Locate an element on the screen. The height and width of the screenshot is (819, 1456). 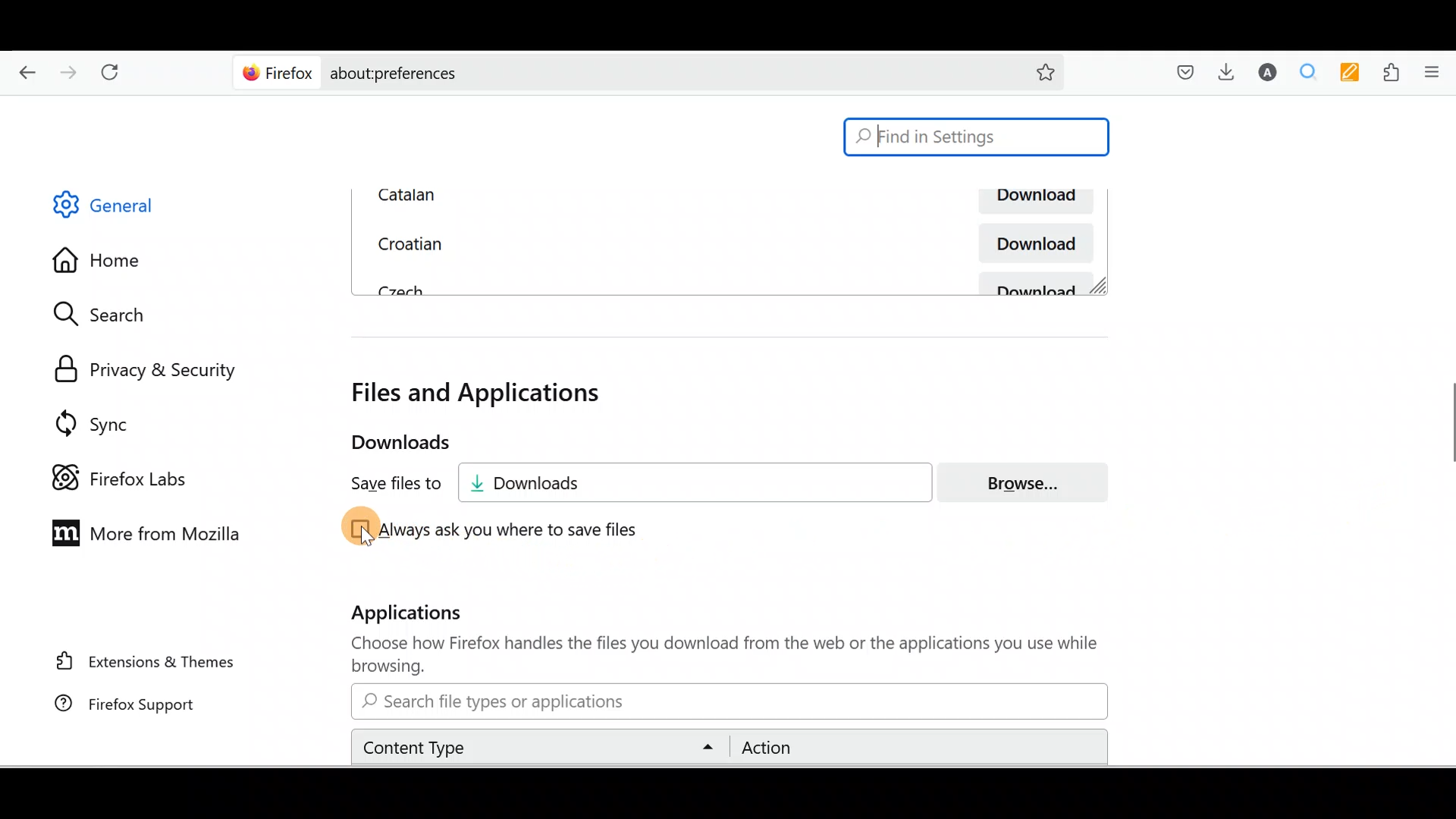
Downloads is located at coordinates (386, 443).